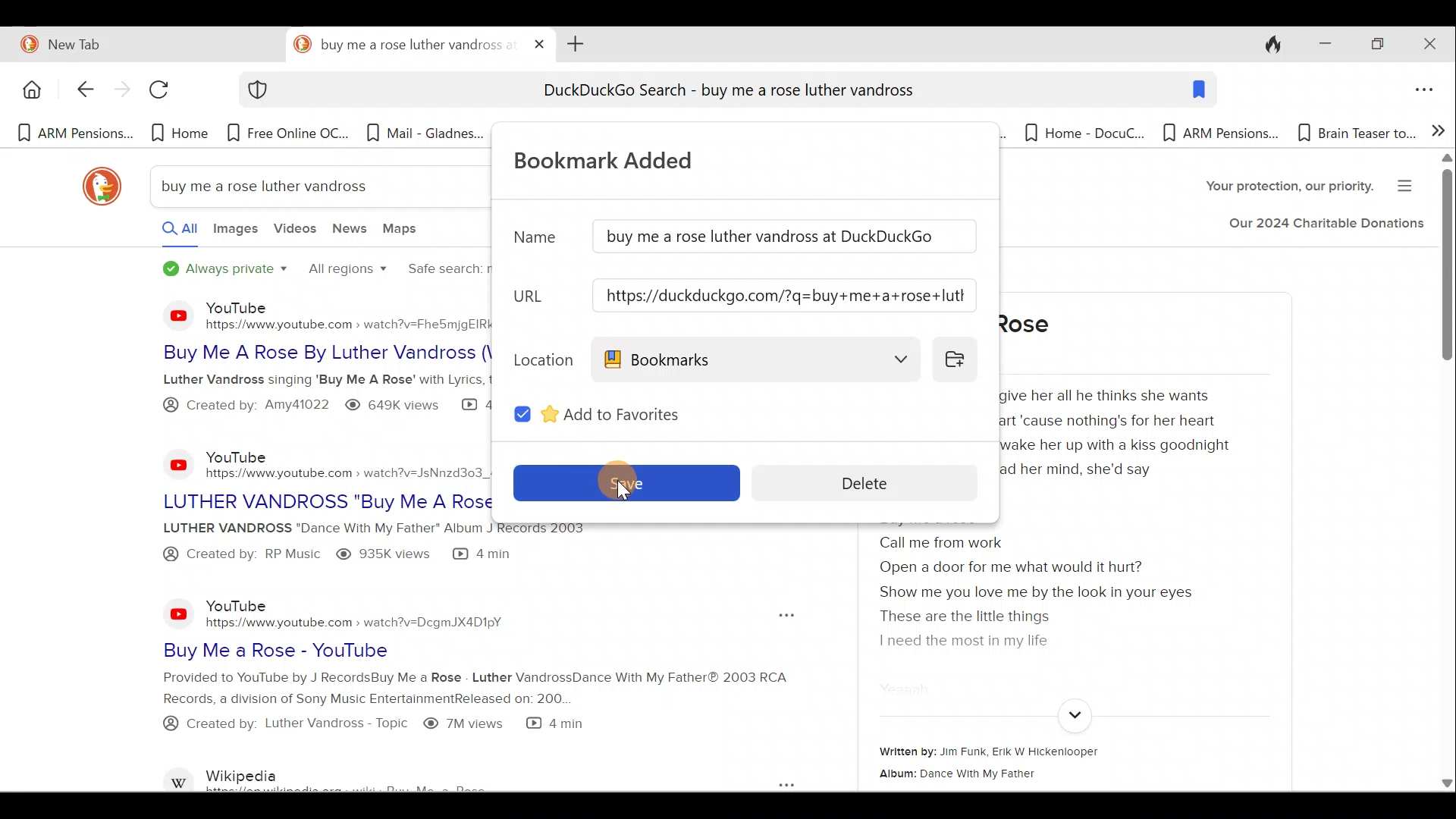 Image resolution: width=1456 pixels, height=819 pixels. I want to click on URL, so click(536, 297).